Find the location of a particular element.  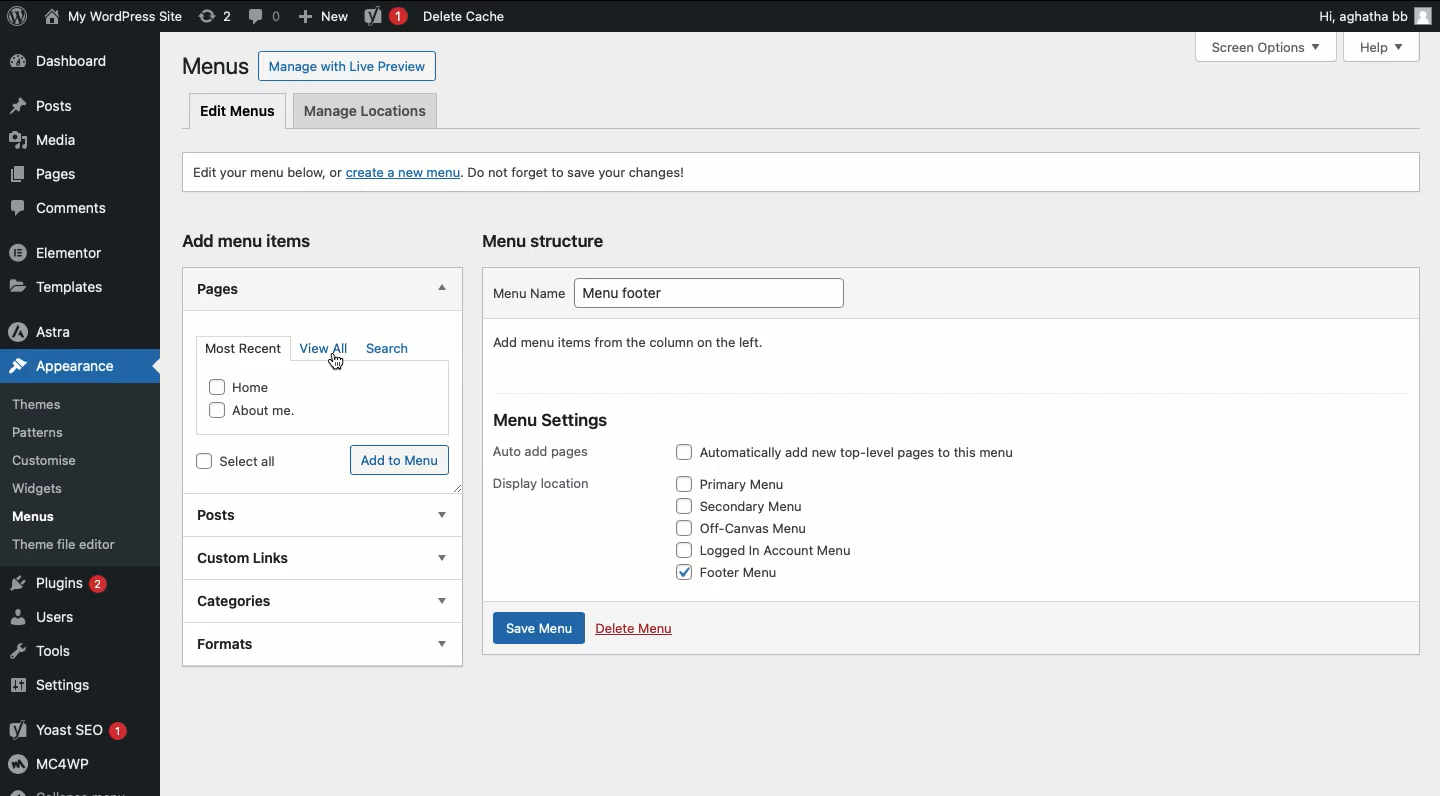

Edit menus is located at coordinates (238, 112).